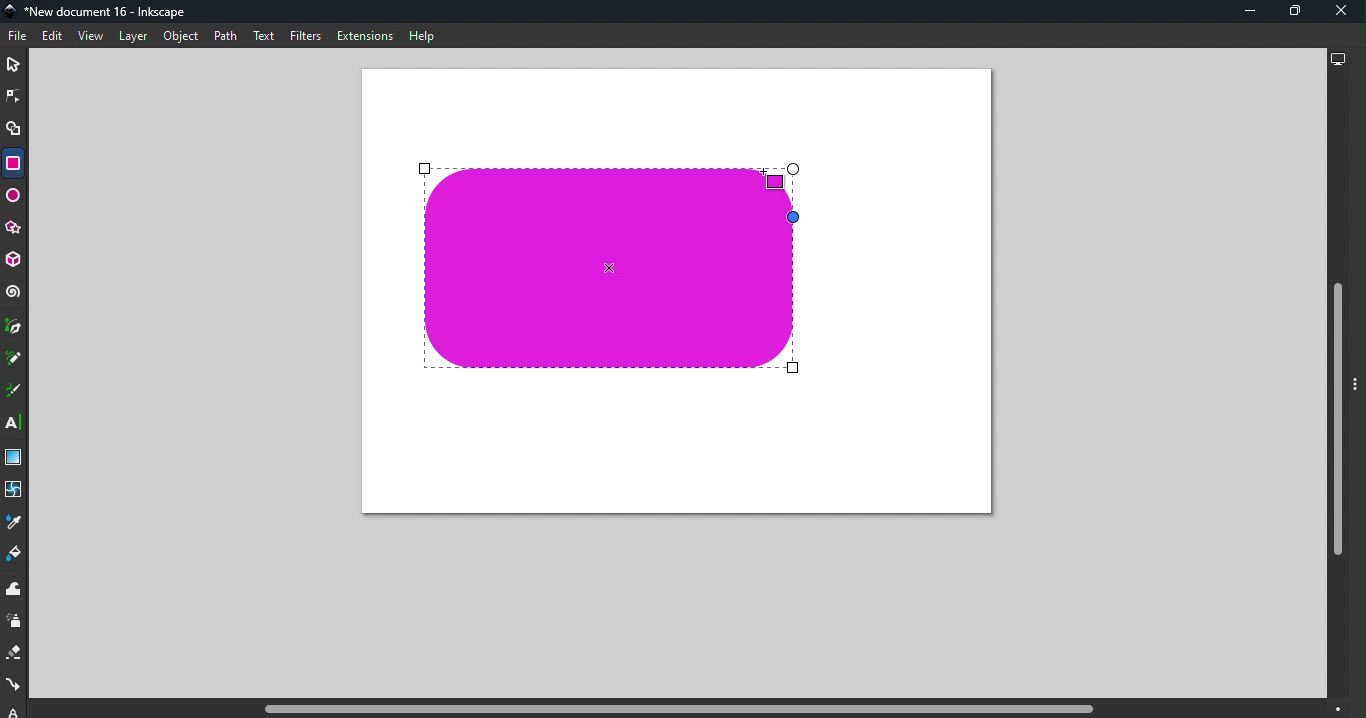 This screenshot has height=718, width=1366. I want to click on Help, so click(422, 36).